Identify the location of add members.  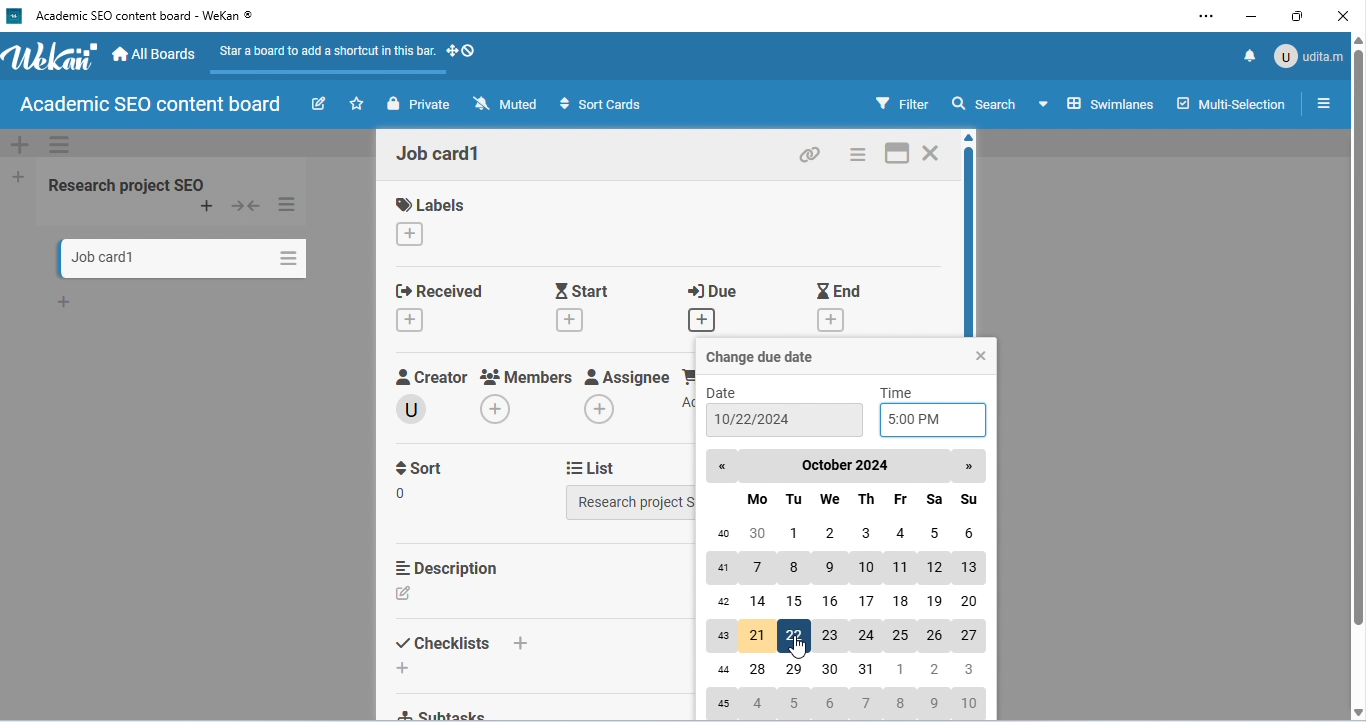
(502, 409).